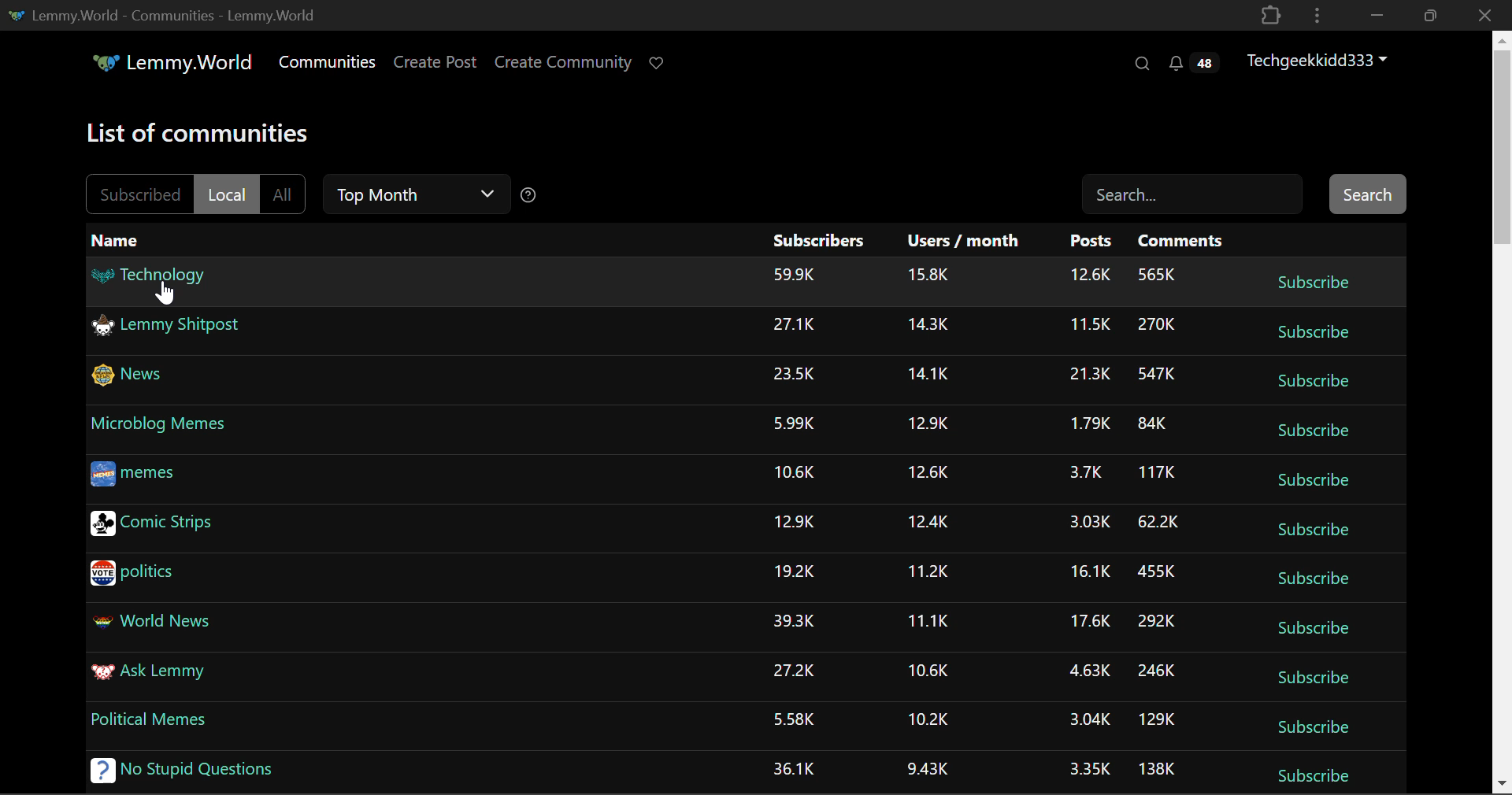 Image resolution: width=1512 pixels, height=795 pixels. Describe the element at coordinates (793, 470) in the screenshot. I see `Amount ` at that location.